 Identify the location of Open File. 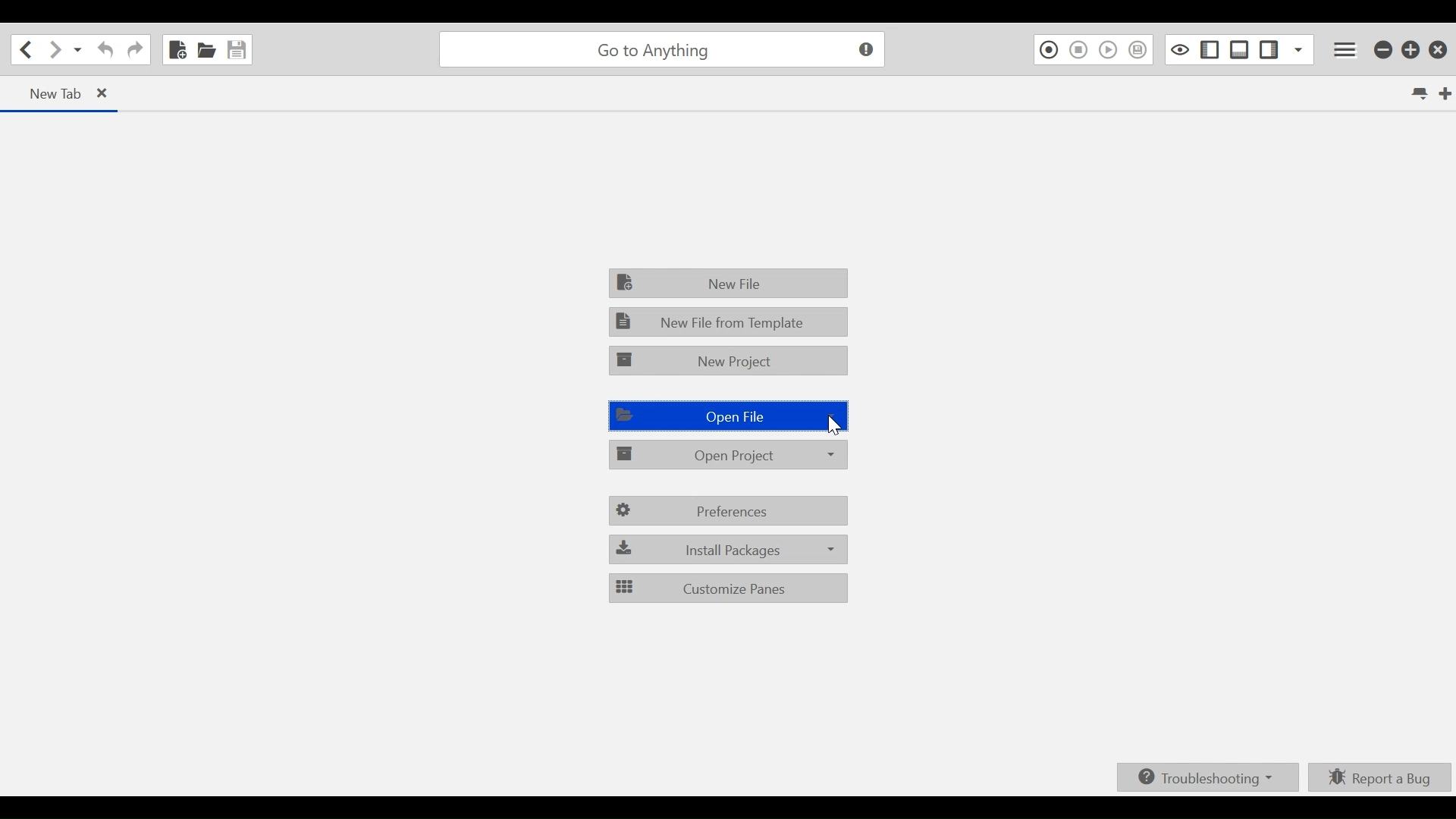
(206, 49).